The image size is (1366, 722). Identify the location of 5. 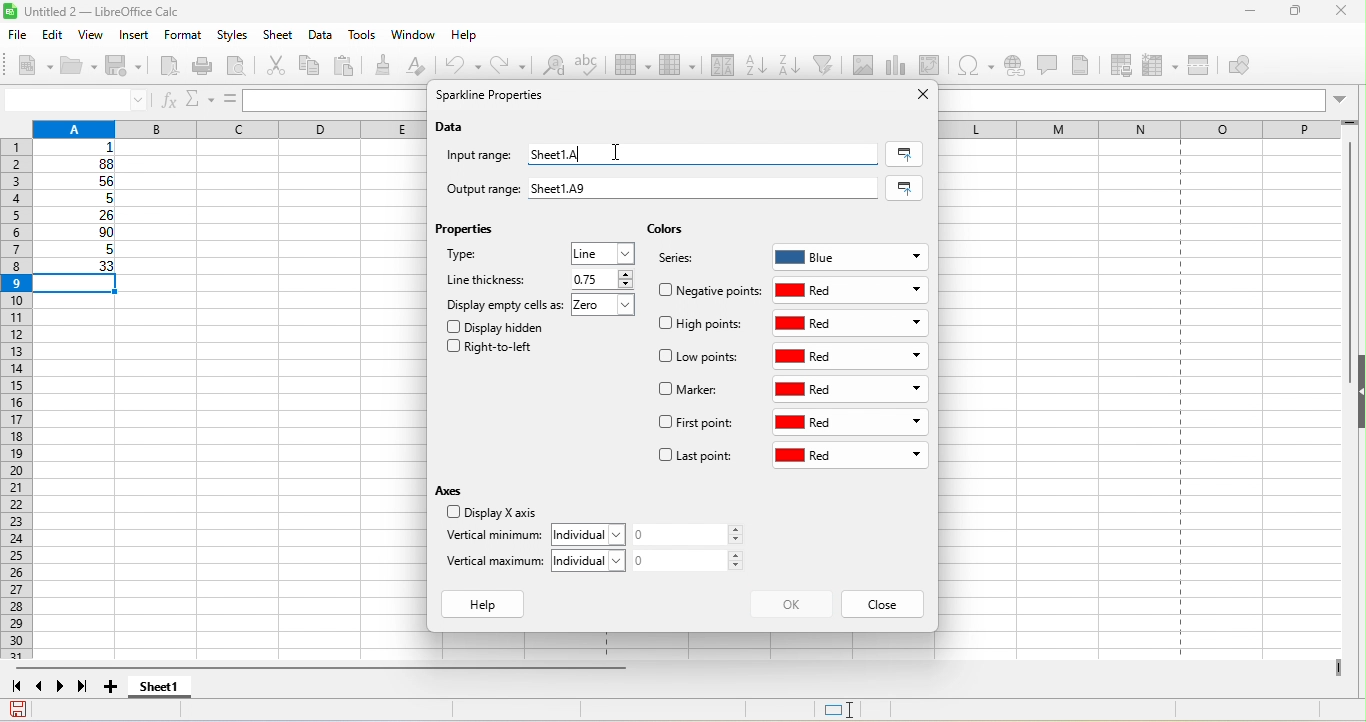
(76, 252).